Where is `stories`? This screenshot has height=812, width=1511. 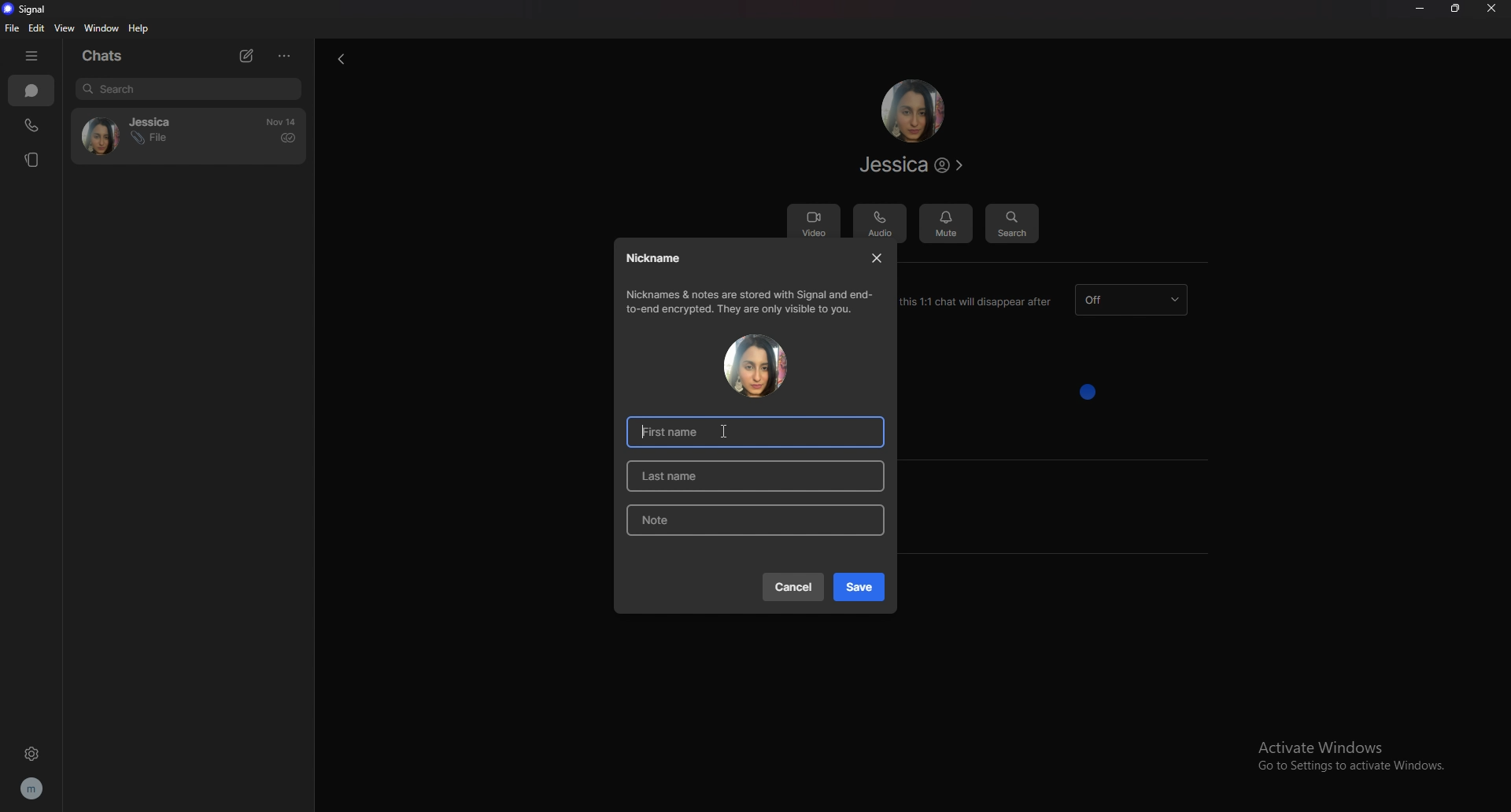
stories is located at coordinates (29, 160).